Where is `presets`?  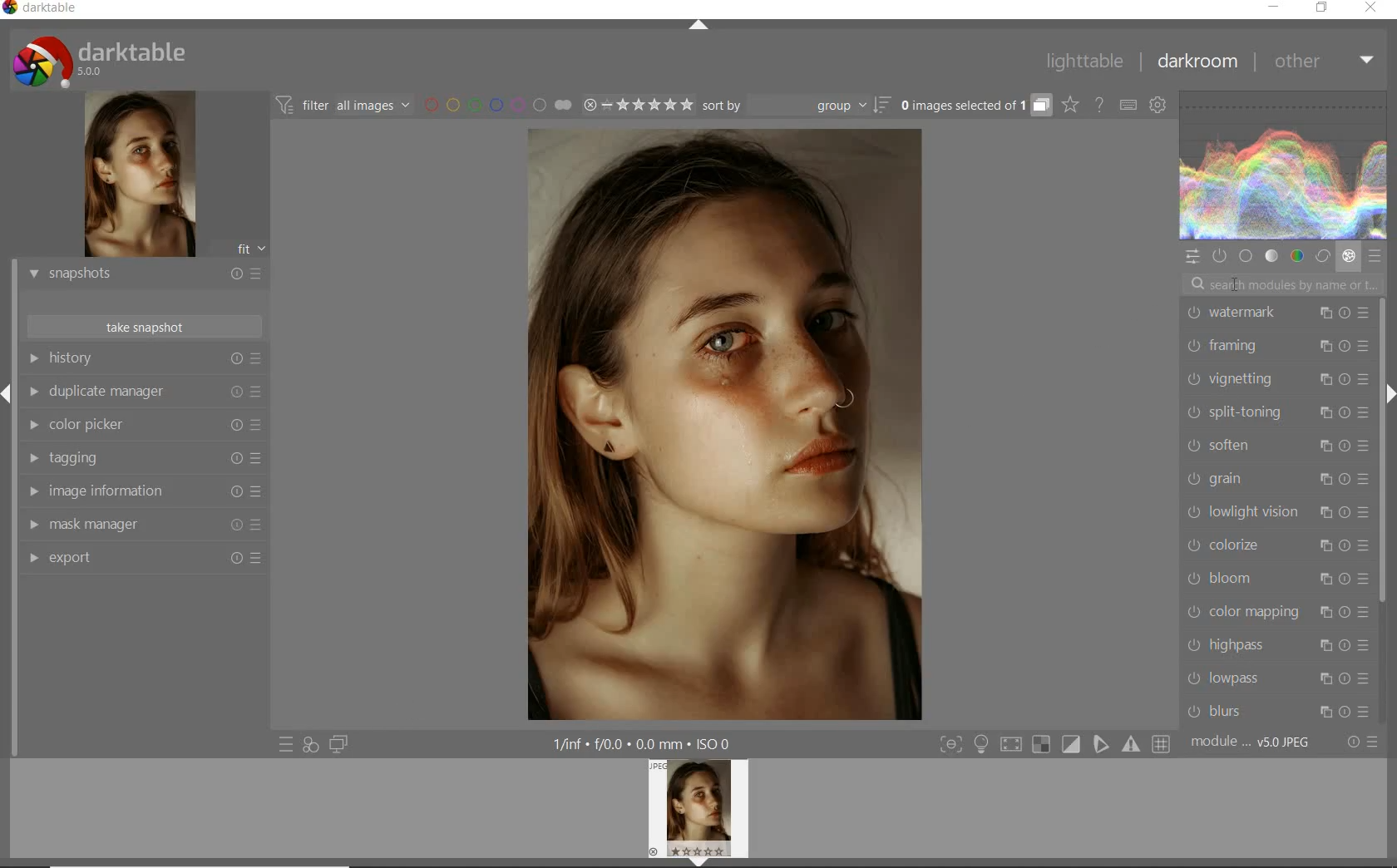
presets is located at coordinates (1374, 256).